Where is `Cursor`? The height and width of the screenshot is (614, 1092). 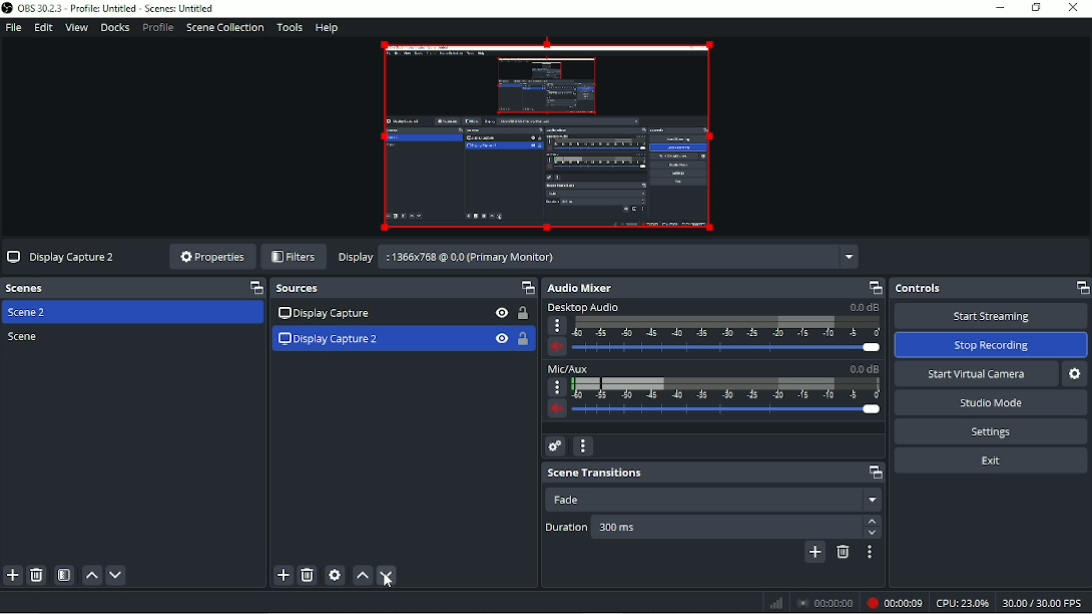
Cursor is located at coordinates (389, 577).